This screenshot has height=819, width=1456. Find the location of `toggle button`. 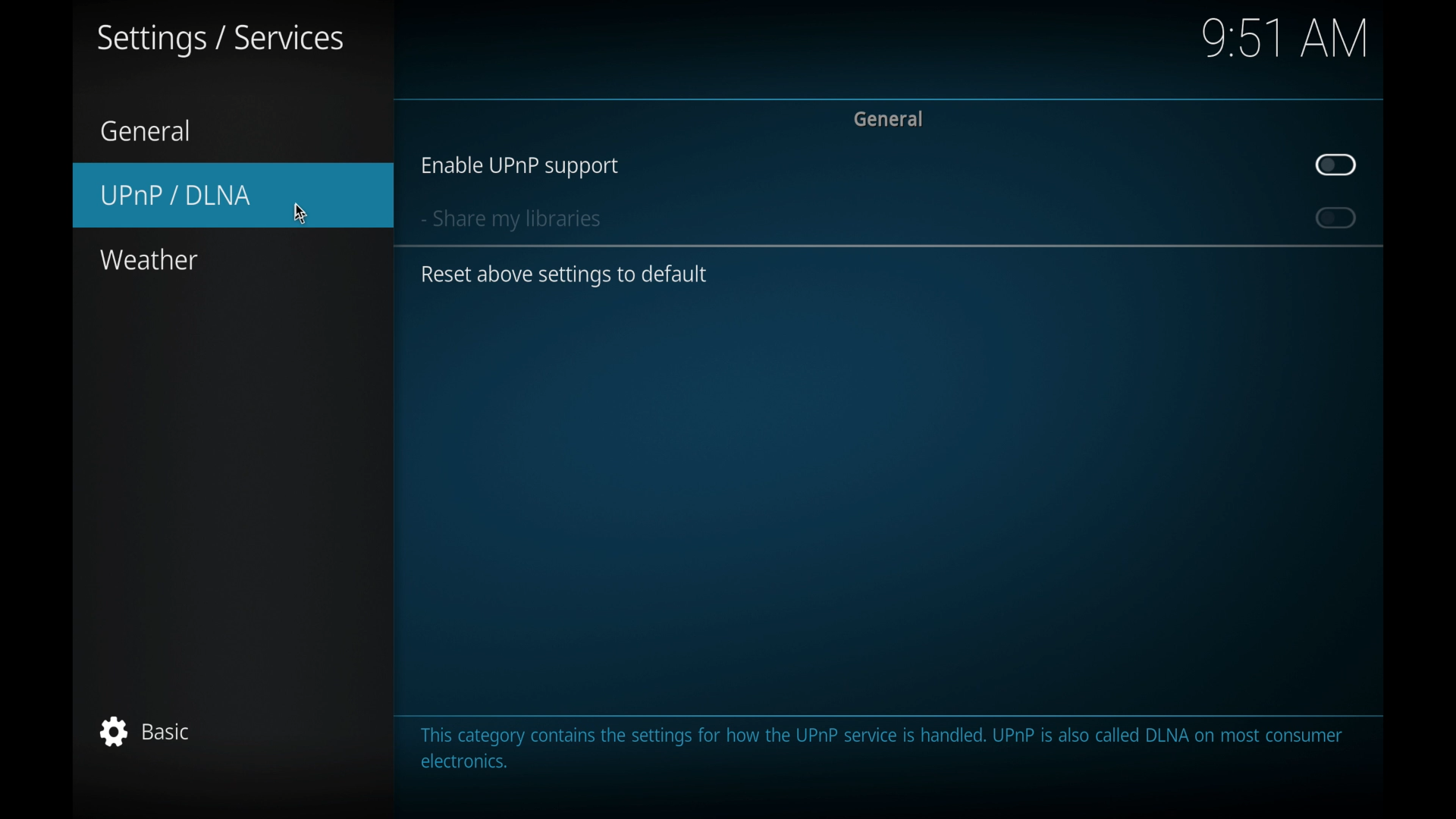

toggle button is located at coordinates (1336, 166).